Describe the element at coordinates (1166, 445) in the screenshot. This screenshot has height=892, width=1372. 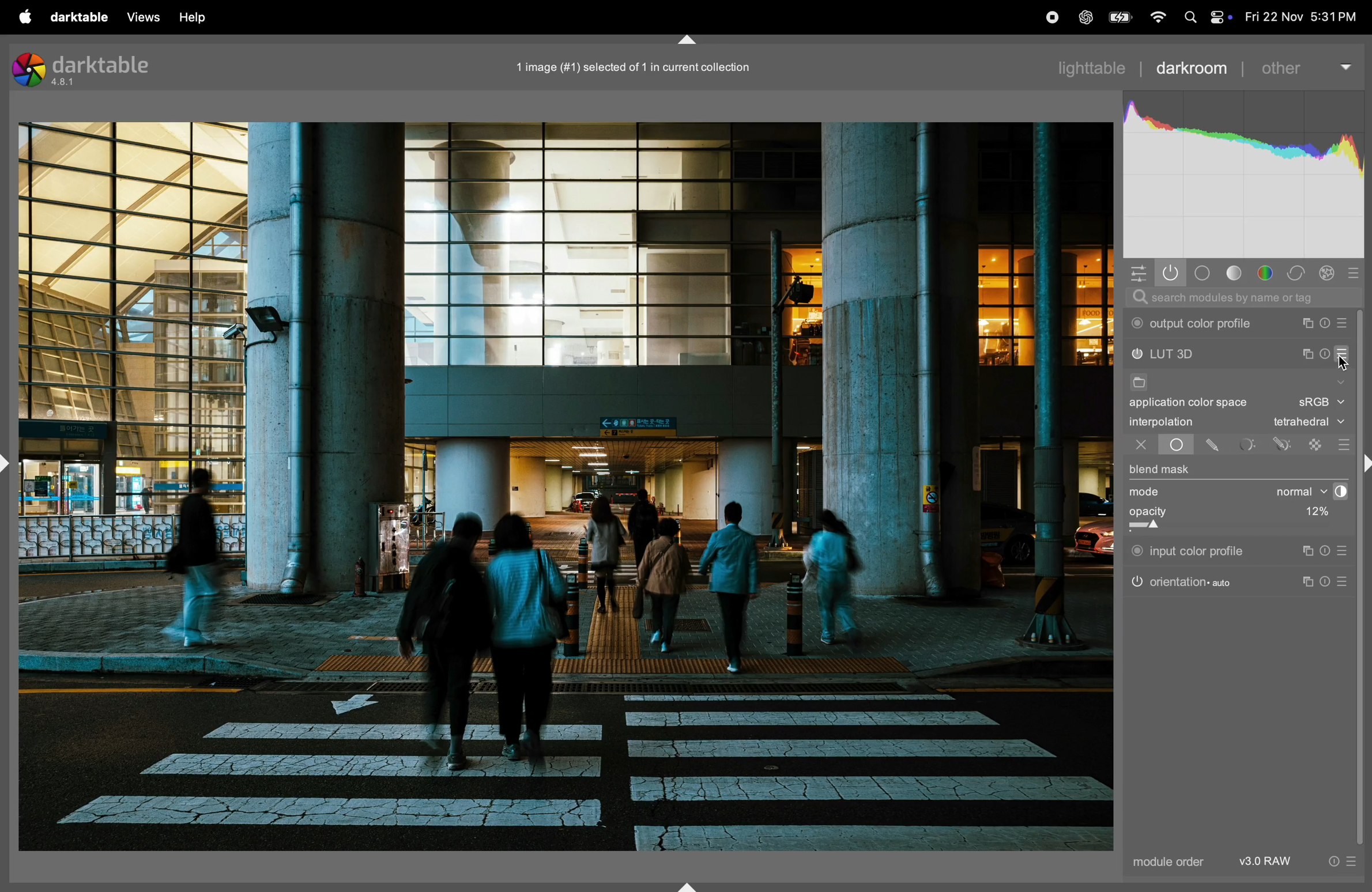
I see `uniformly` at that location.